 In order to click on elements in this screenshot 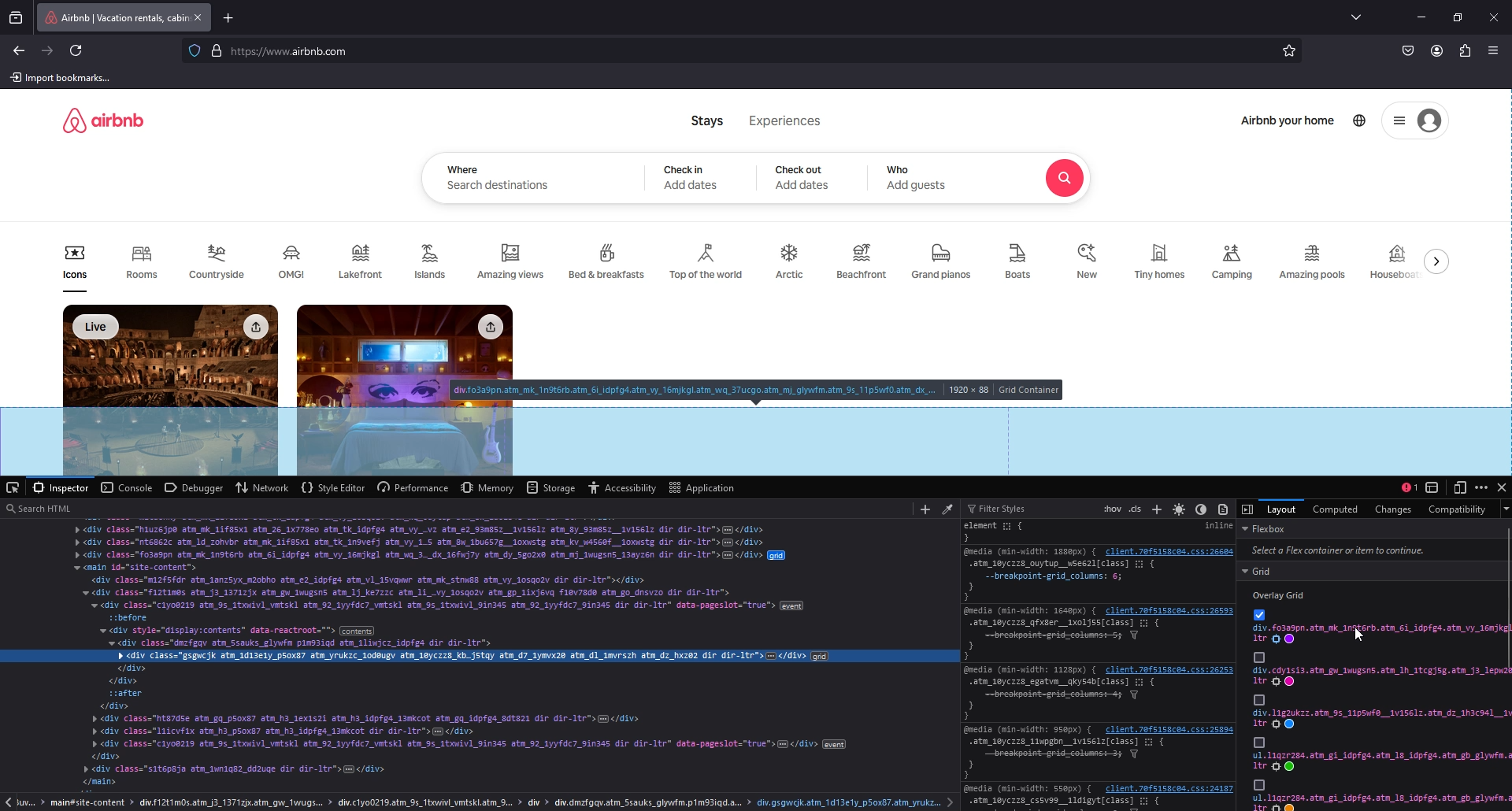, I will do `click(1063, 640)`.